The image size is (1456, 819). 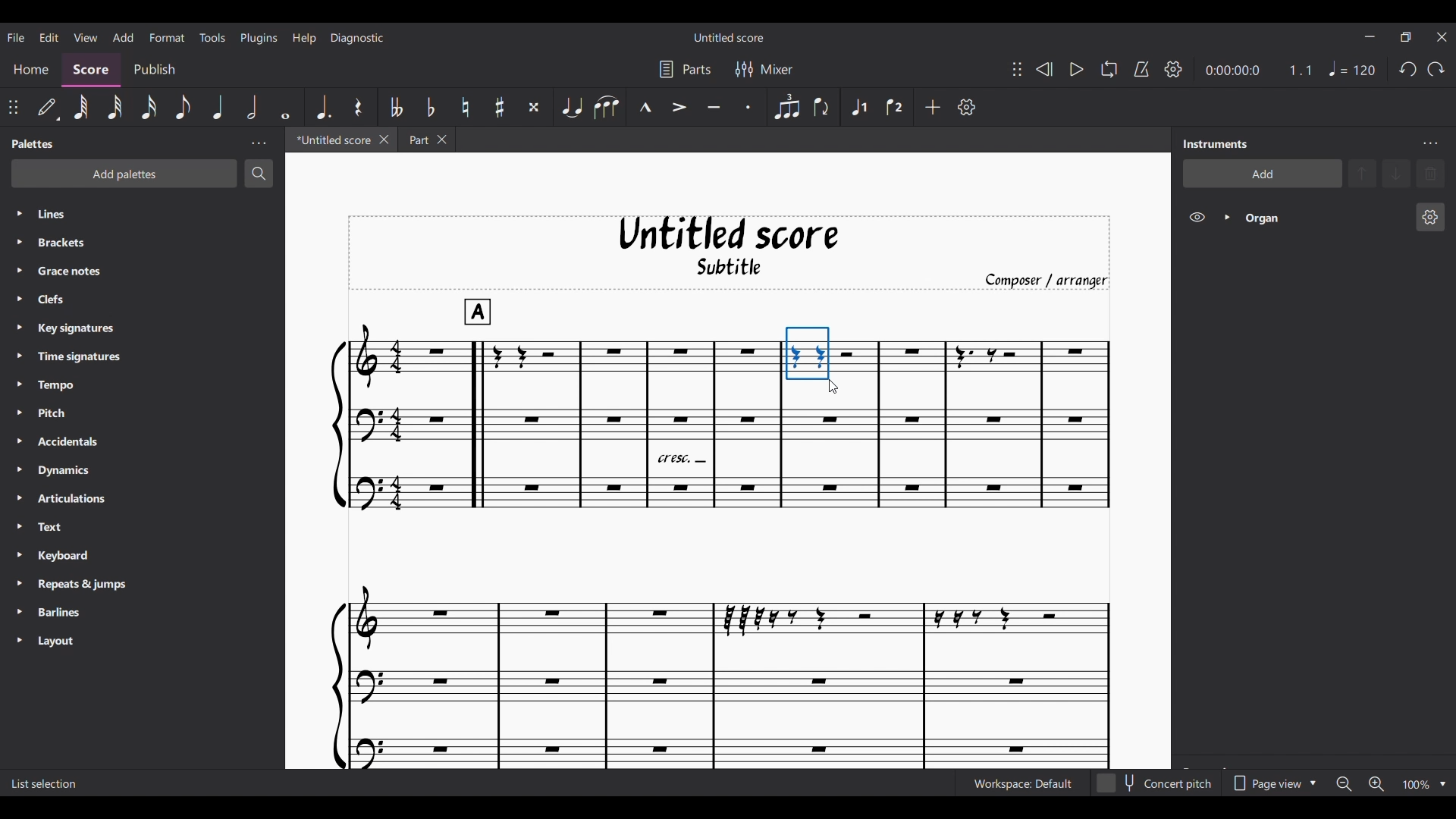 What do you see at coordinates (251, 106) in the screenshot?
I see `Half note` at bounding box center [251, 106].